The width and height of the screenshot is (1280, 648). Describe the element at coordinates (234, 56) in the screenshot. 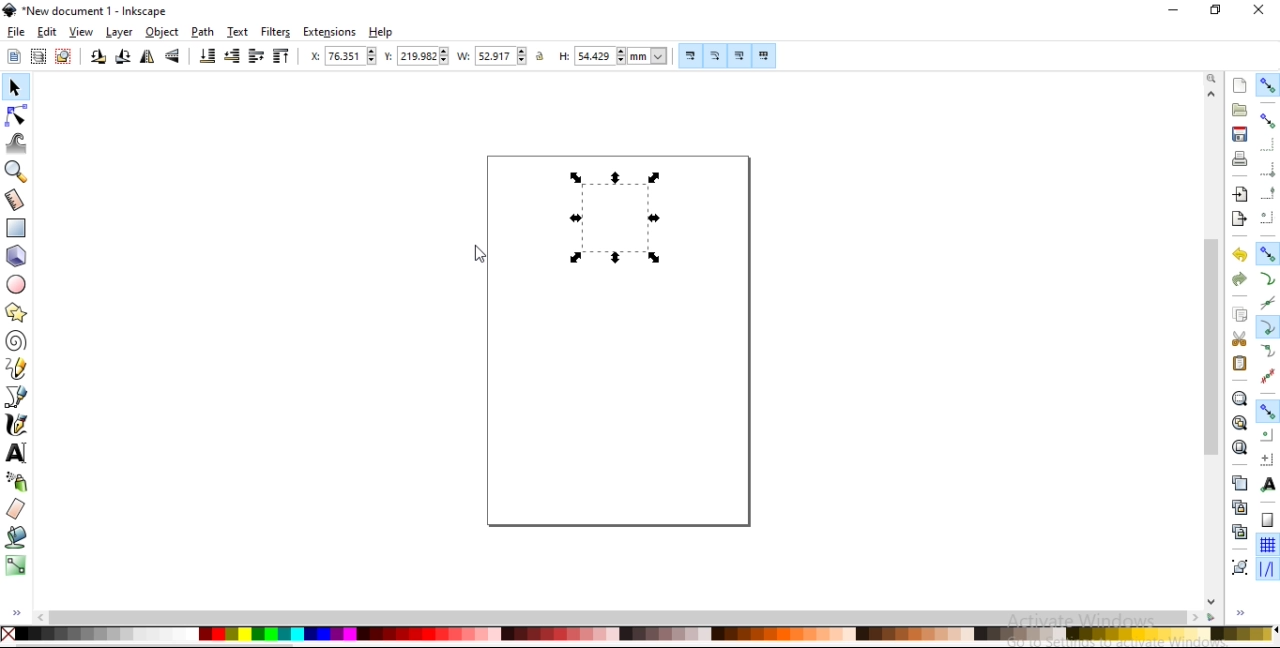

I see `lower selection by  one step` at that location.